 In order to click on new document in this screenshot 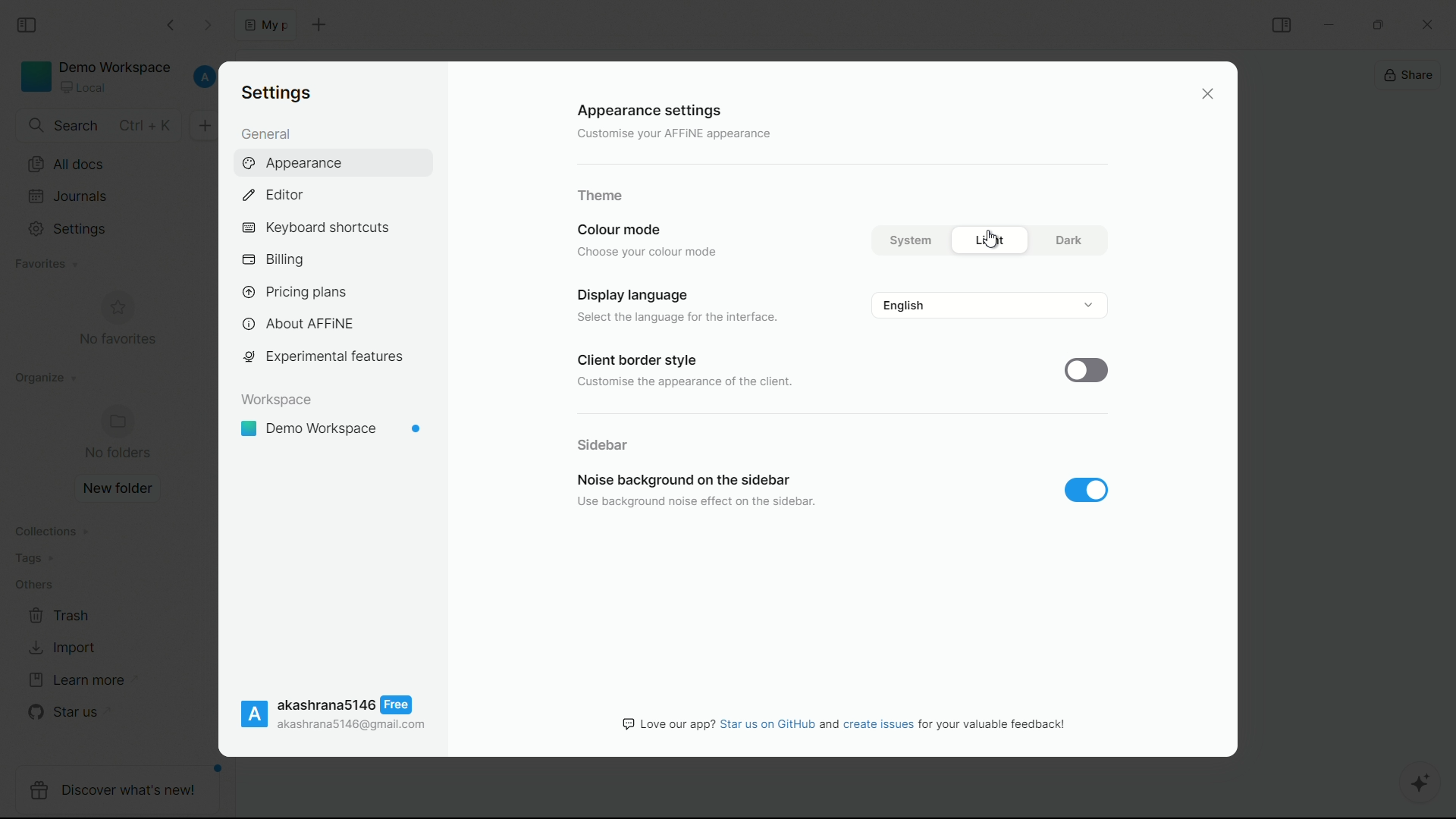, I will do `click(317, 24)`.